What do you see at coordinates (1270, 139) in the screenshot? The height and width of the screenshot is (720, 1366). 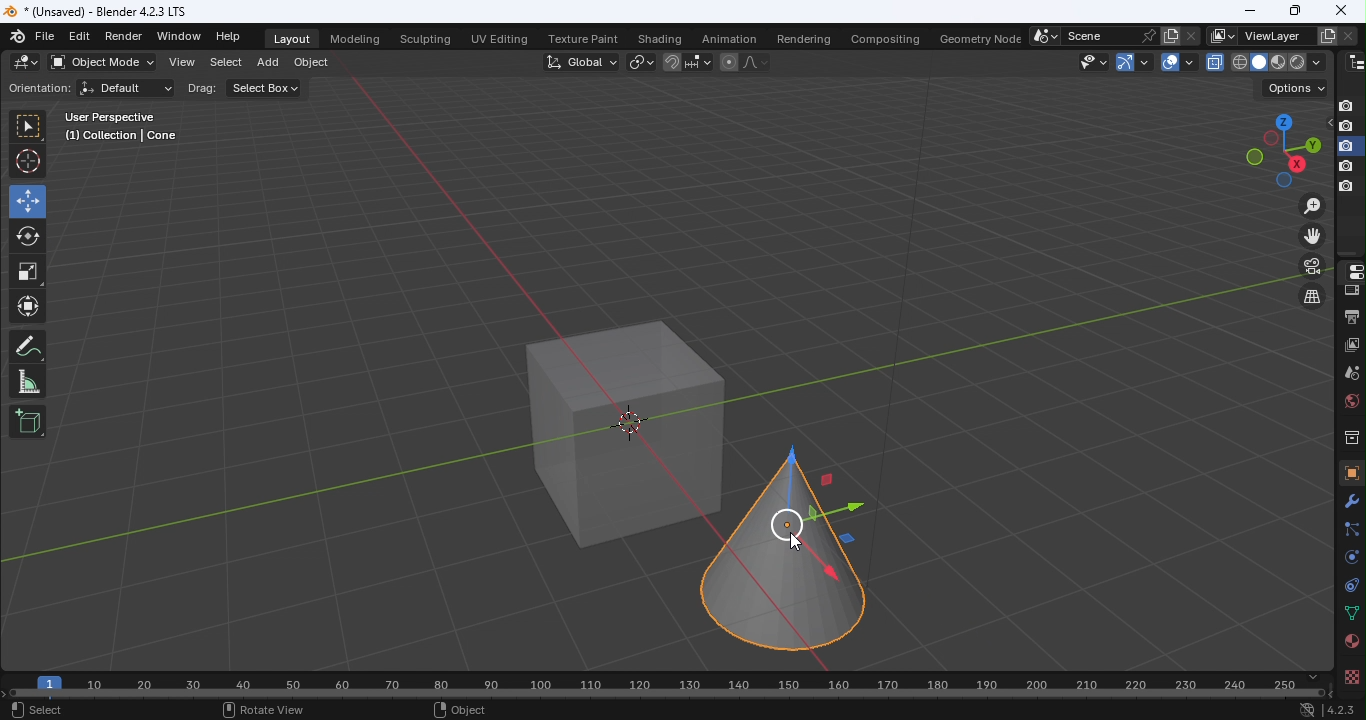 I see `Rotate the view` at bounding box center [1270, 139].